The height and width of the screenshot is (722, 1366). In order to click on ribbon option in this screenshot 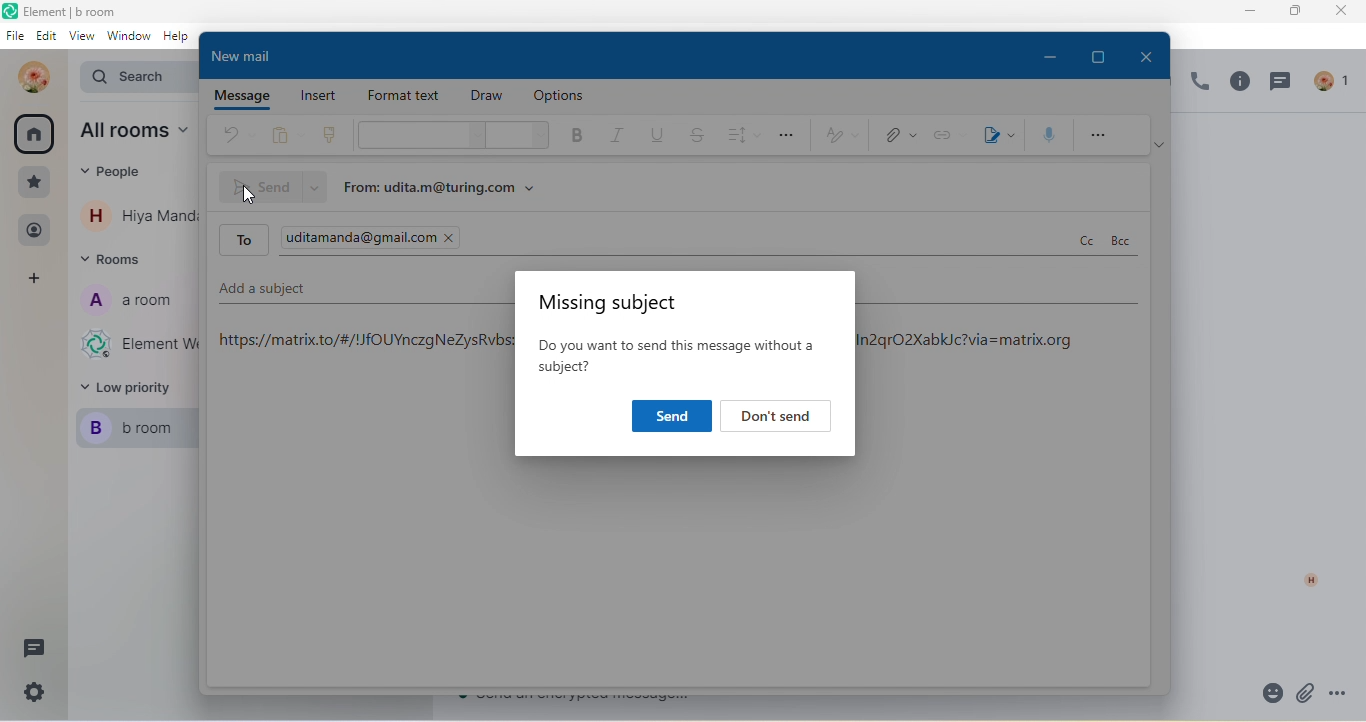, I will do `click(1162, 151)`.